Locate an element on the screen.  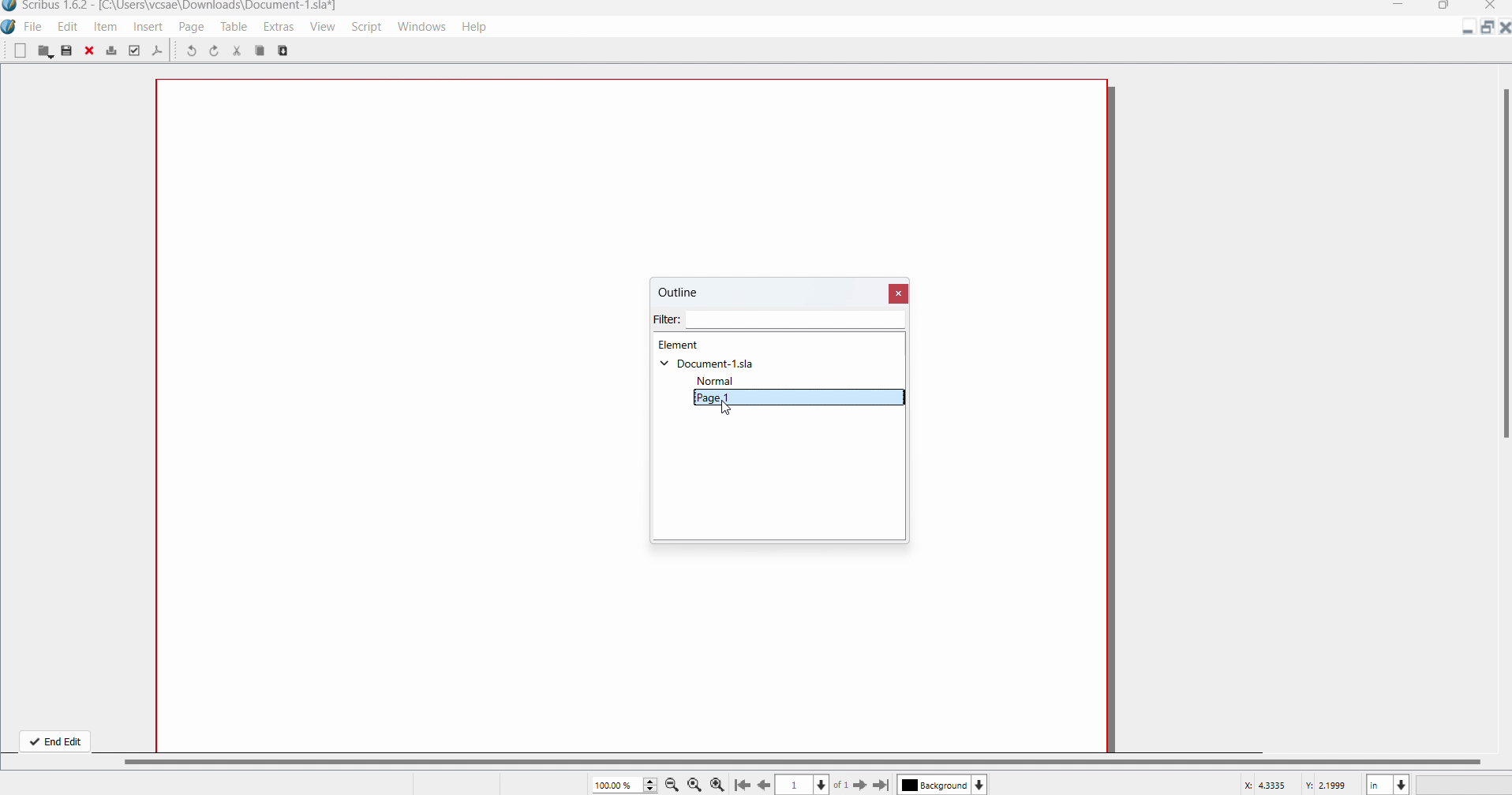
 is located at coordinates (193, 28).